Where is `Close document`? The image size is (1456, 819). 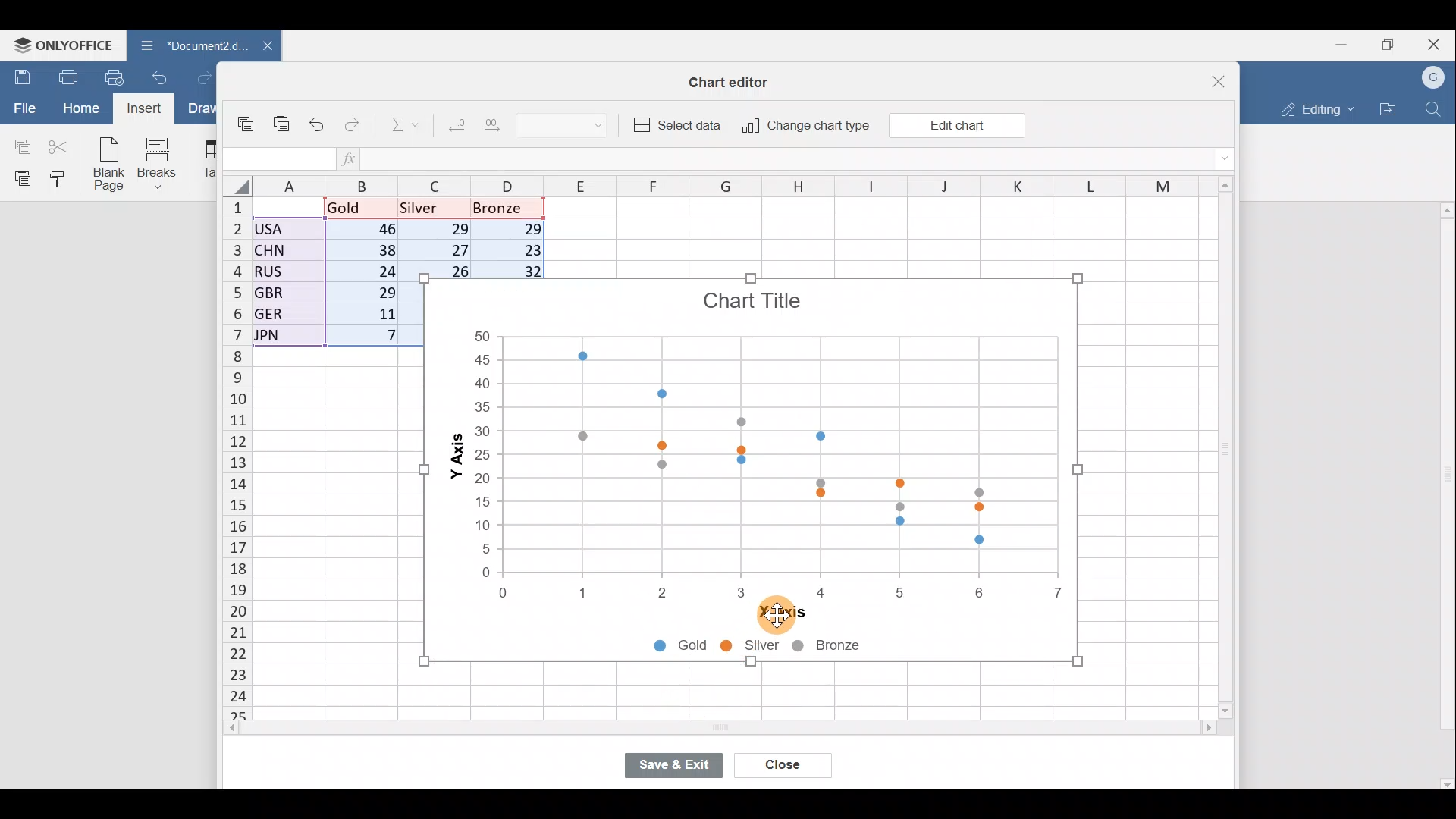
Close document is located at coordinates (262, 47).